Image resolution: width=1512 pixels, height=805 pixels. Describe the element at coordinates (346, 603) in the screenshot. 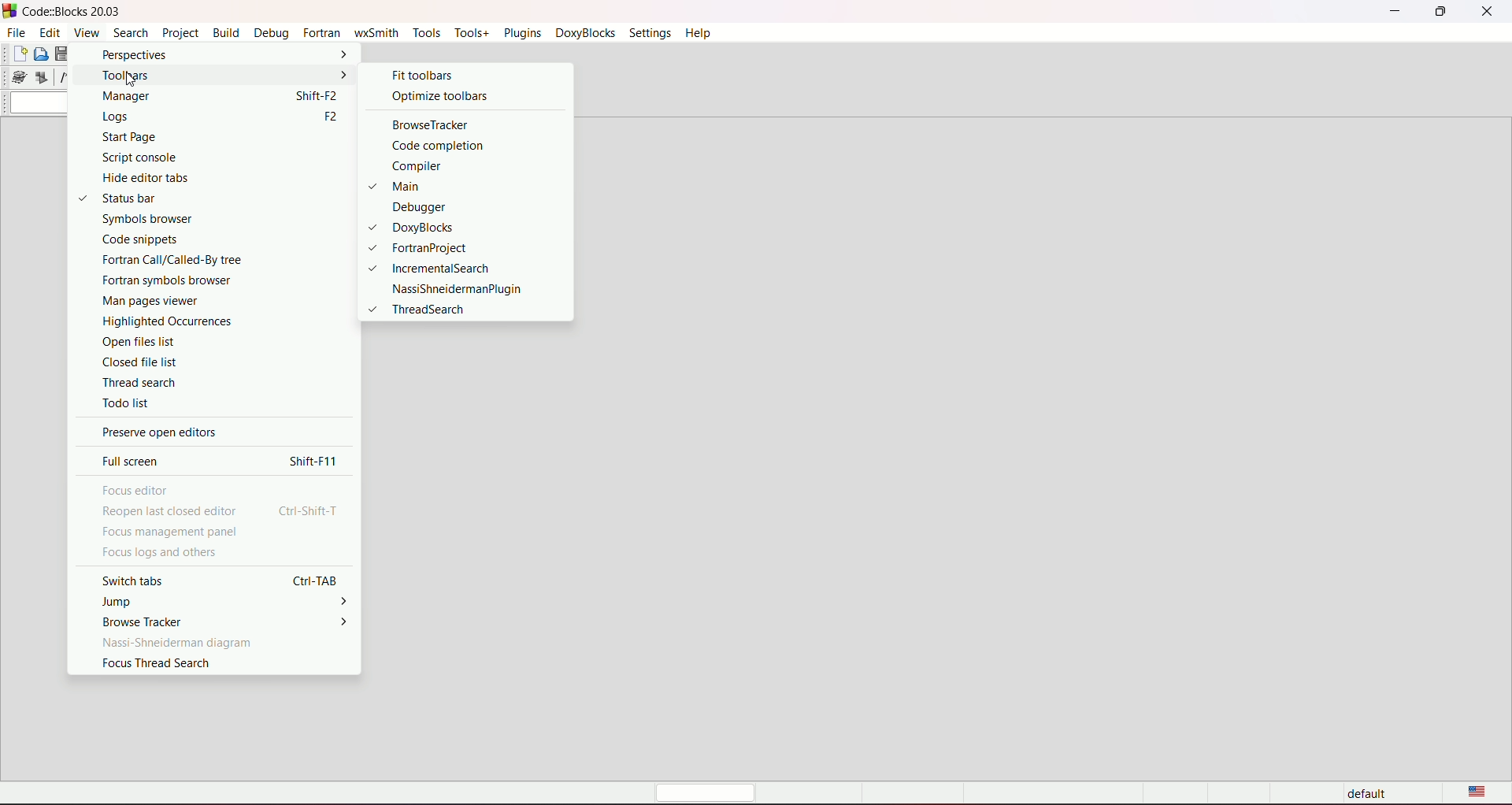

I see `arrow` at that location.